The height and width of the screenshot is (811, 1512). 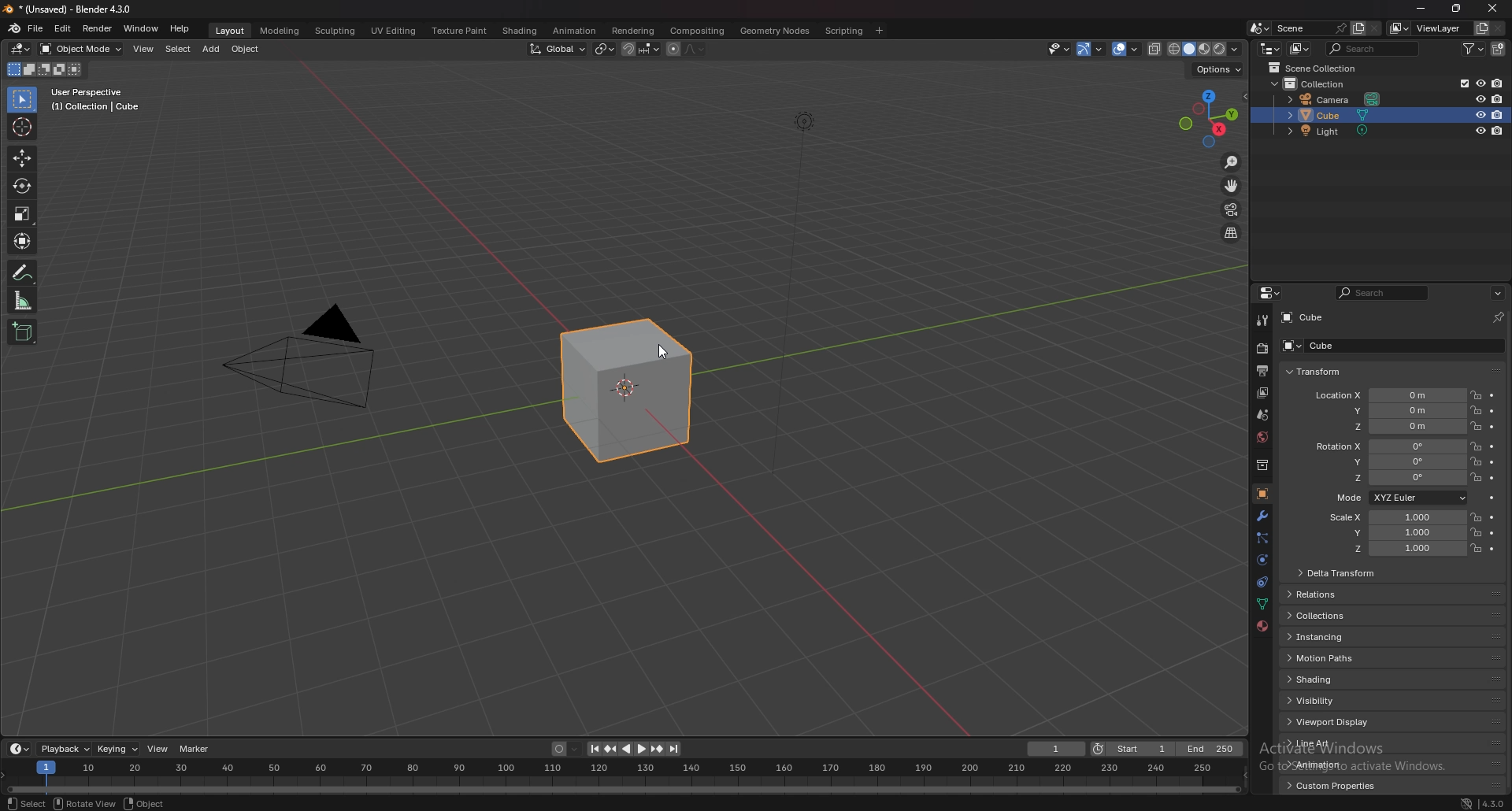 I want to click on move, so click(x=1232, y=184).